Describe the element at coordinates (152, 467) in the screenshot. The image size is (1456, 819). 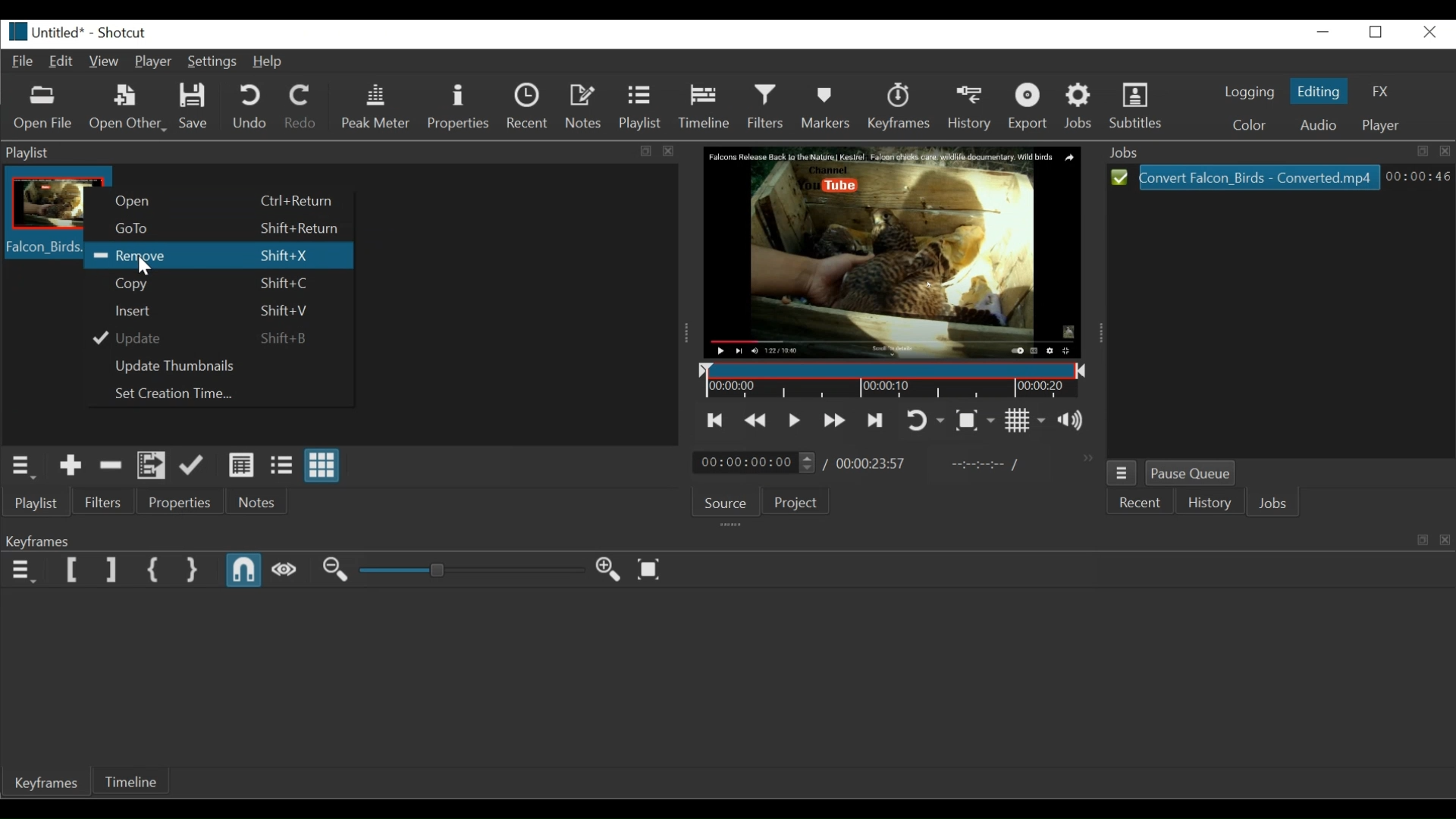
I see `Add files to the playlist` at that location.